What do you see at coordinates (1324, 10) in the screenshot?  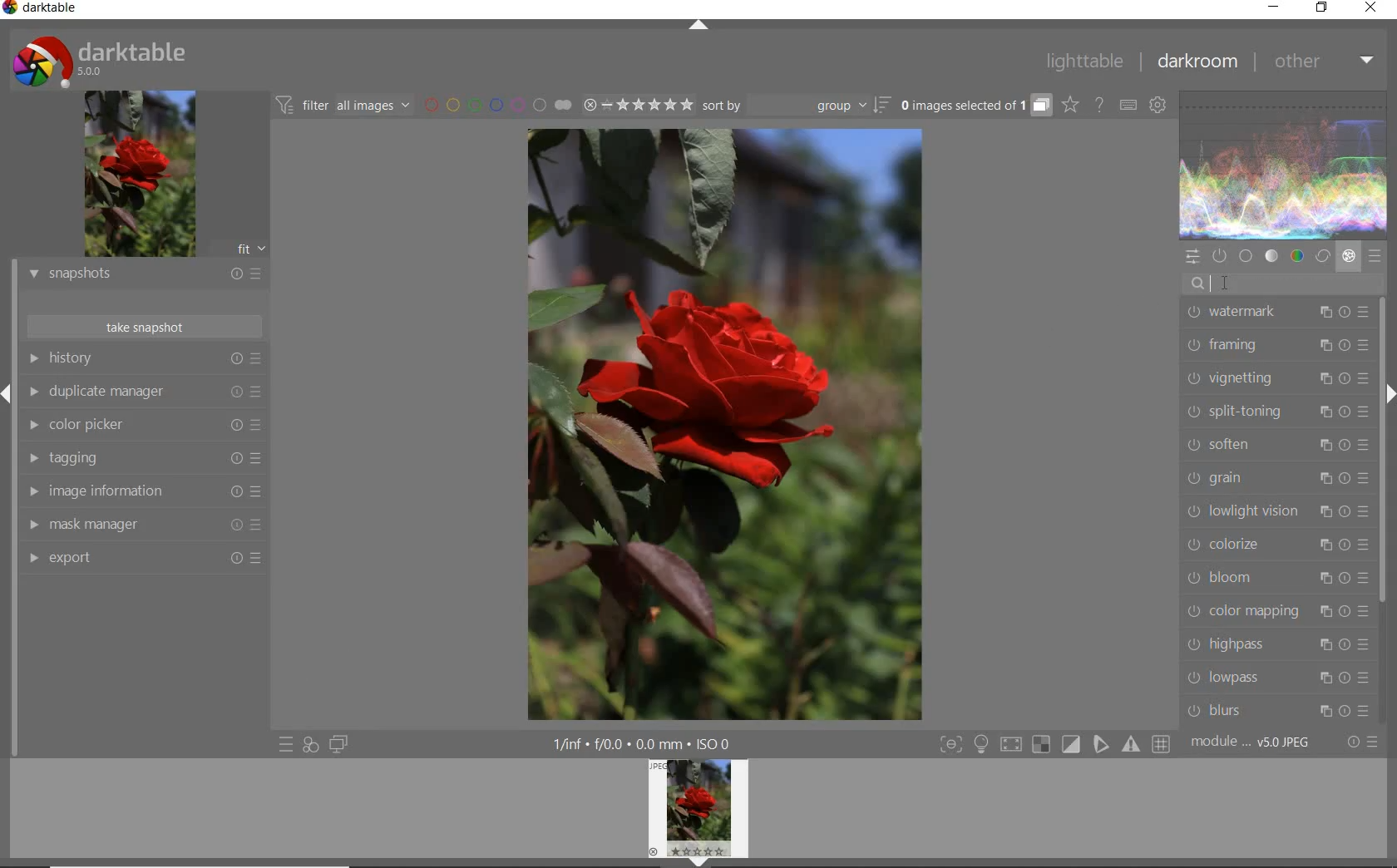 I see `restore` at bounding box center [1324, 10].